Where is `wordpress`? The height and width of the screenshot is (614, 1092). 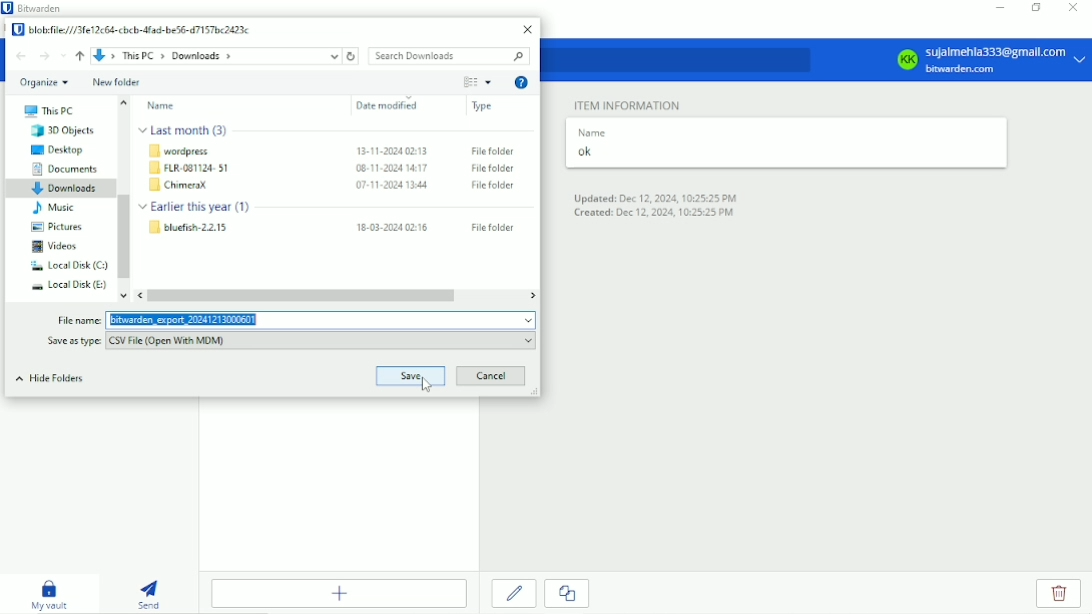 wordpress is located at coordinates (187, 150).